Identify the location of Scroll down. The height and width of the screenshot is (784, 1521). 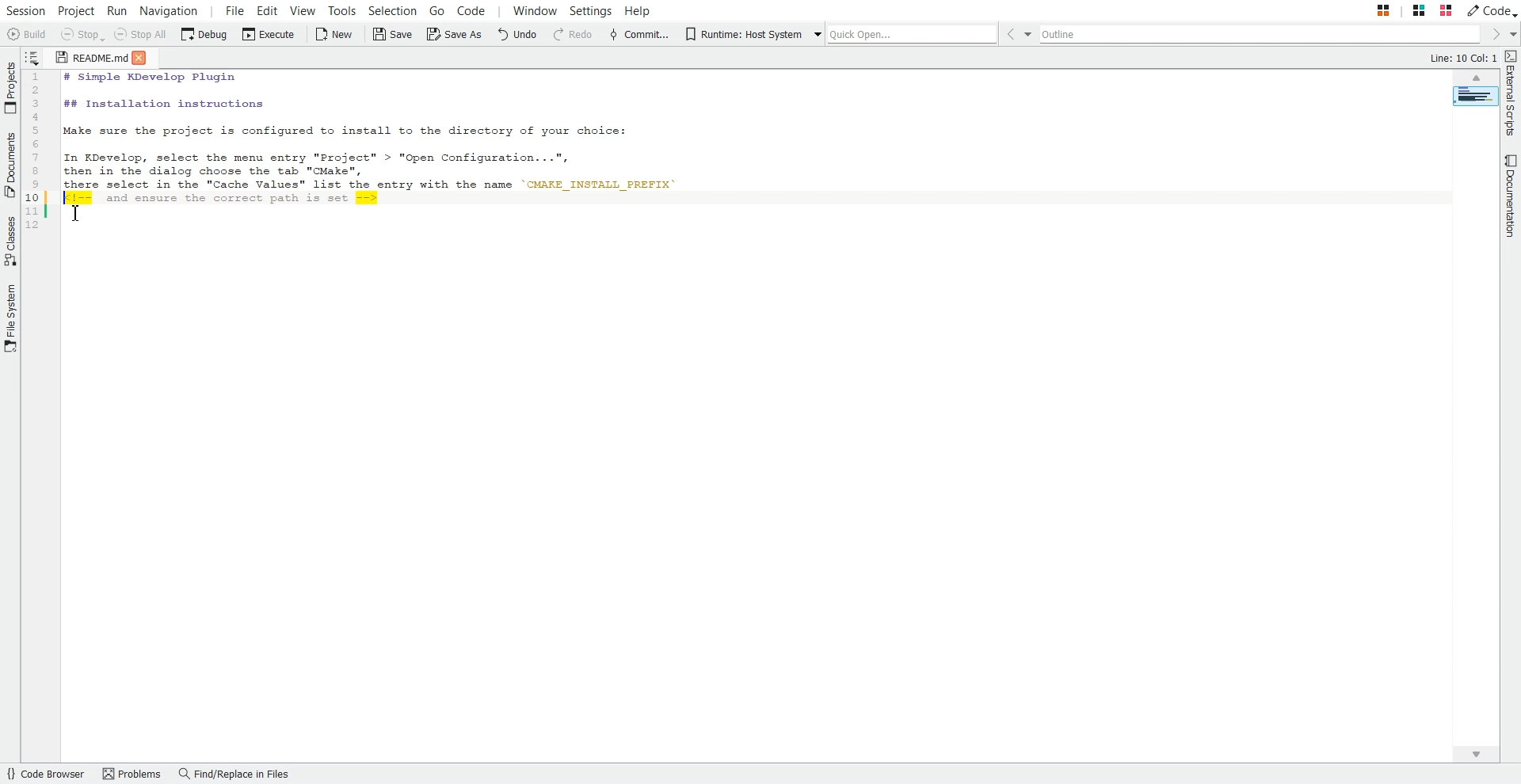
(1474, 754).